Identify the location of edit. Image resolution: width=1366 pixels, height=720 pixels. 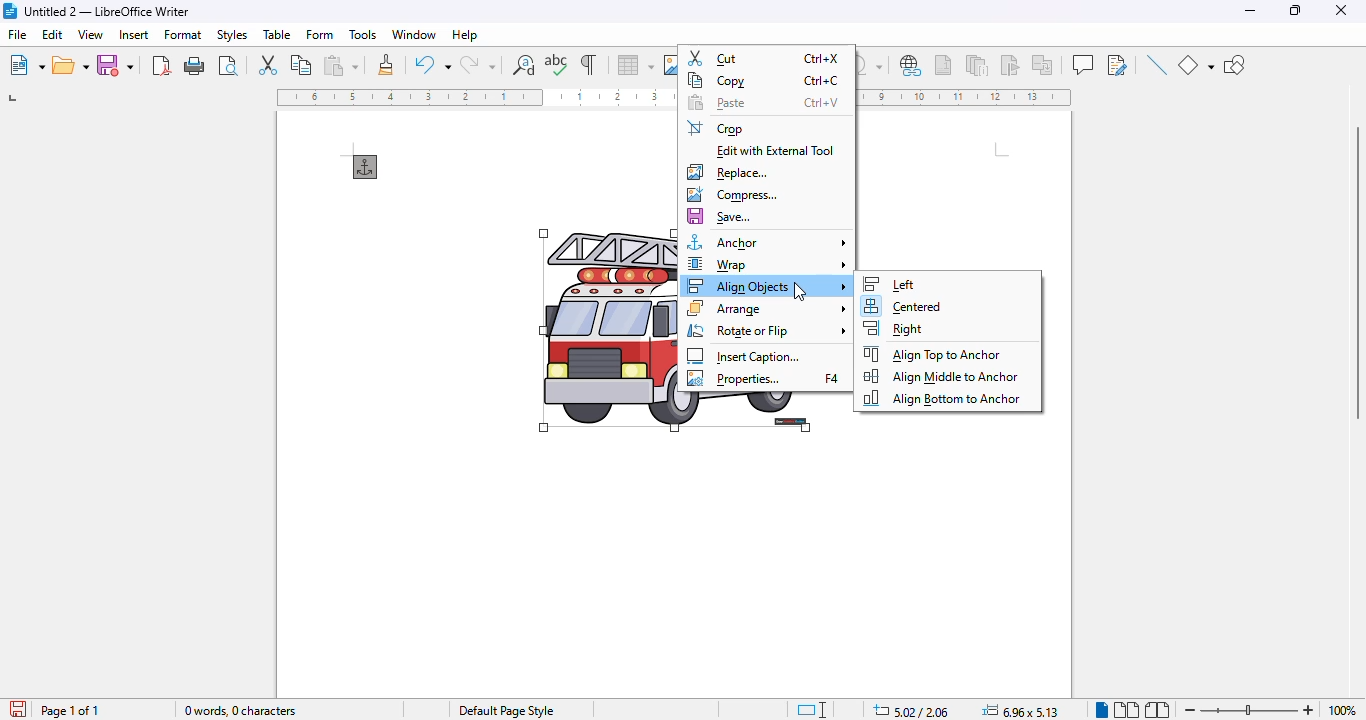
(54, 34).